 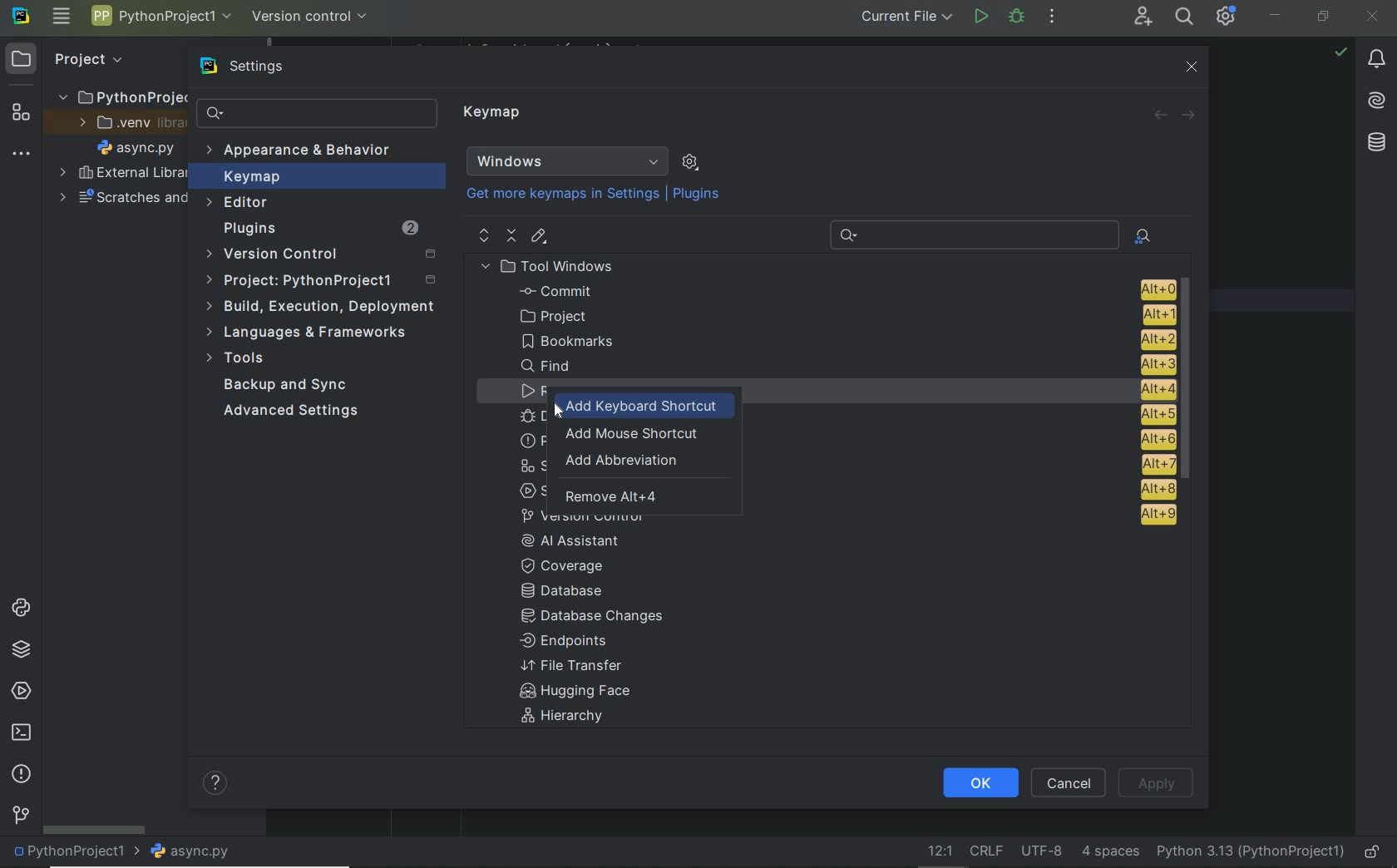 What do you see at coordinates (1190, 114) in the screenshot?
I see `forward` at bounding box center [1190, 114].